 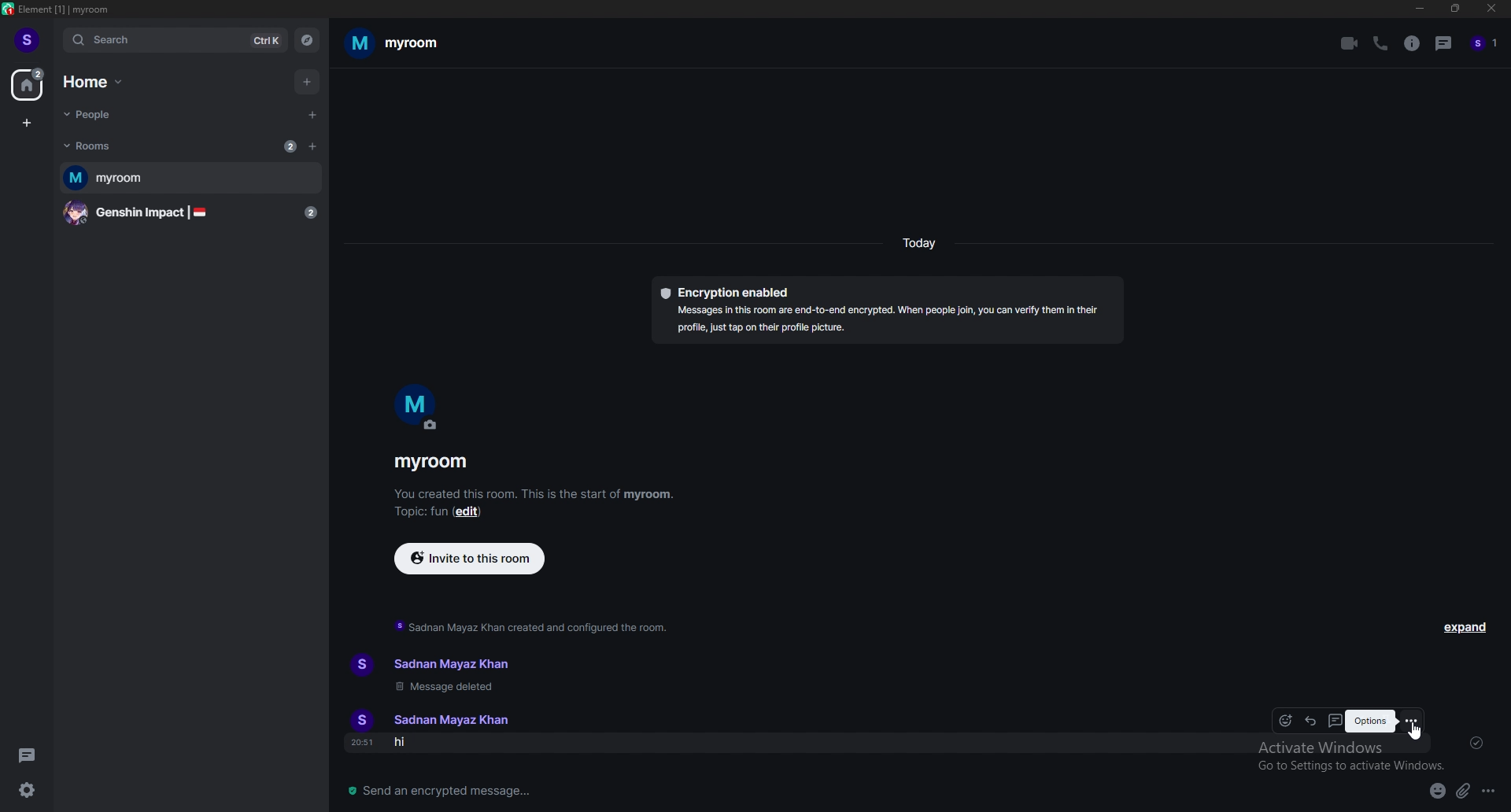 I want to click on threads, so click(x=1334, y=721).